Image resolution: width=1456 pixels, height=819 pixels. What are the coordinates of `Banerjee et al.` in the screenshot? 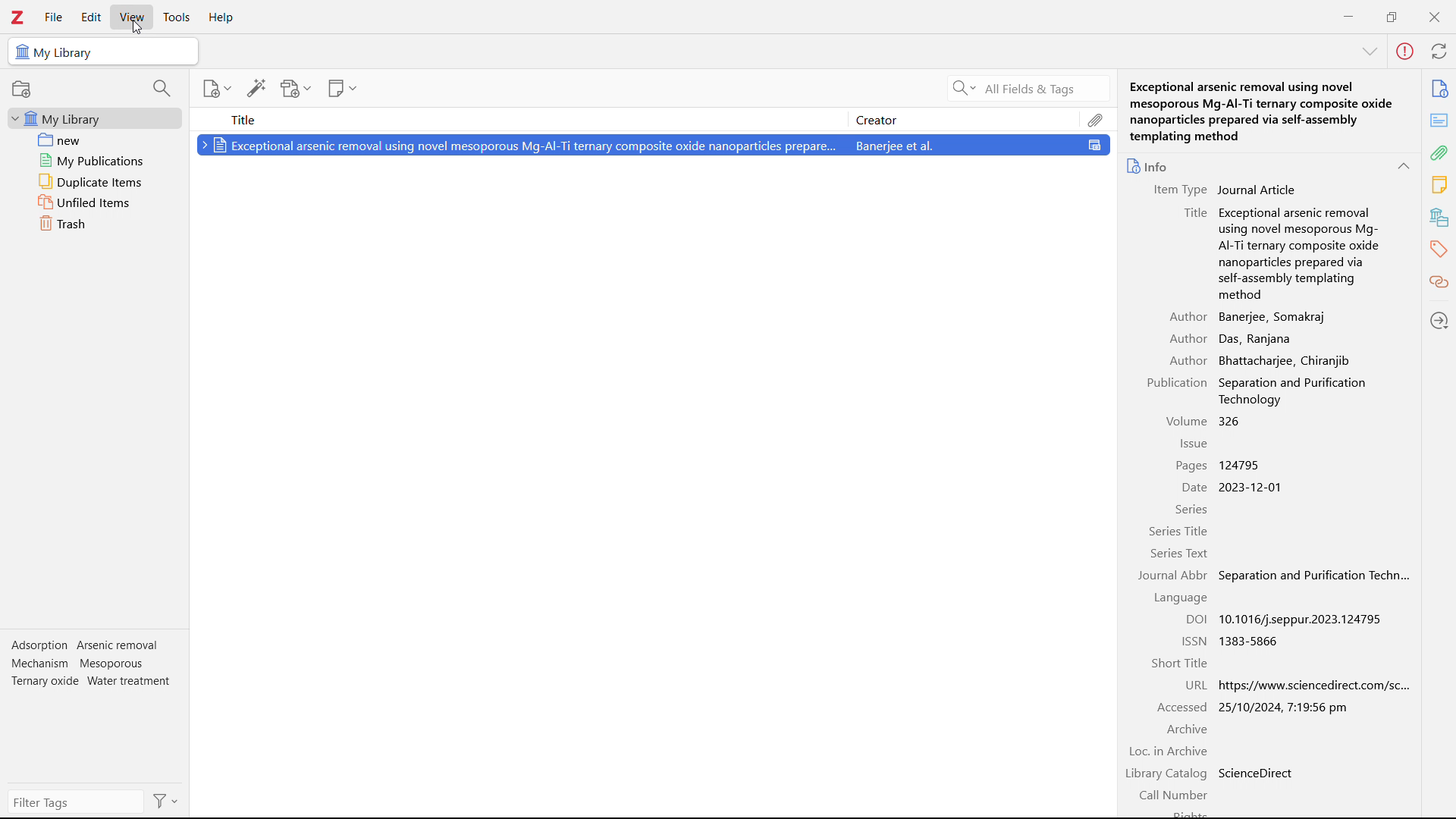 It's located at (984, 147).